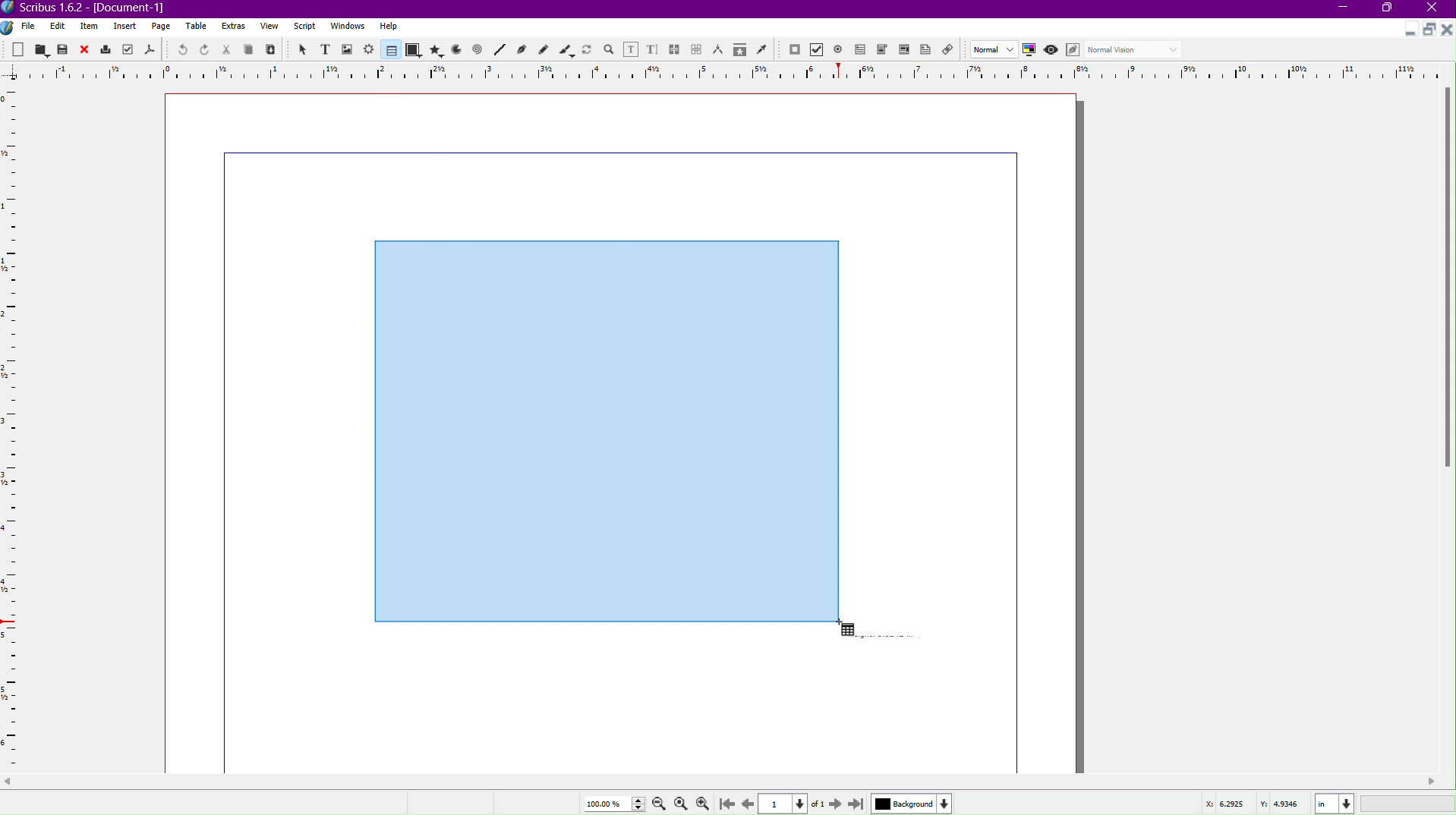 Image resolution: width=1456 pixels, height=815 pixels. Describe the element at coordinates (1075, 50) in the screenshot. I see `Edit in Preview Mode` at that location.